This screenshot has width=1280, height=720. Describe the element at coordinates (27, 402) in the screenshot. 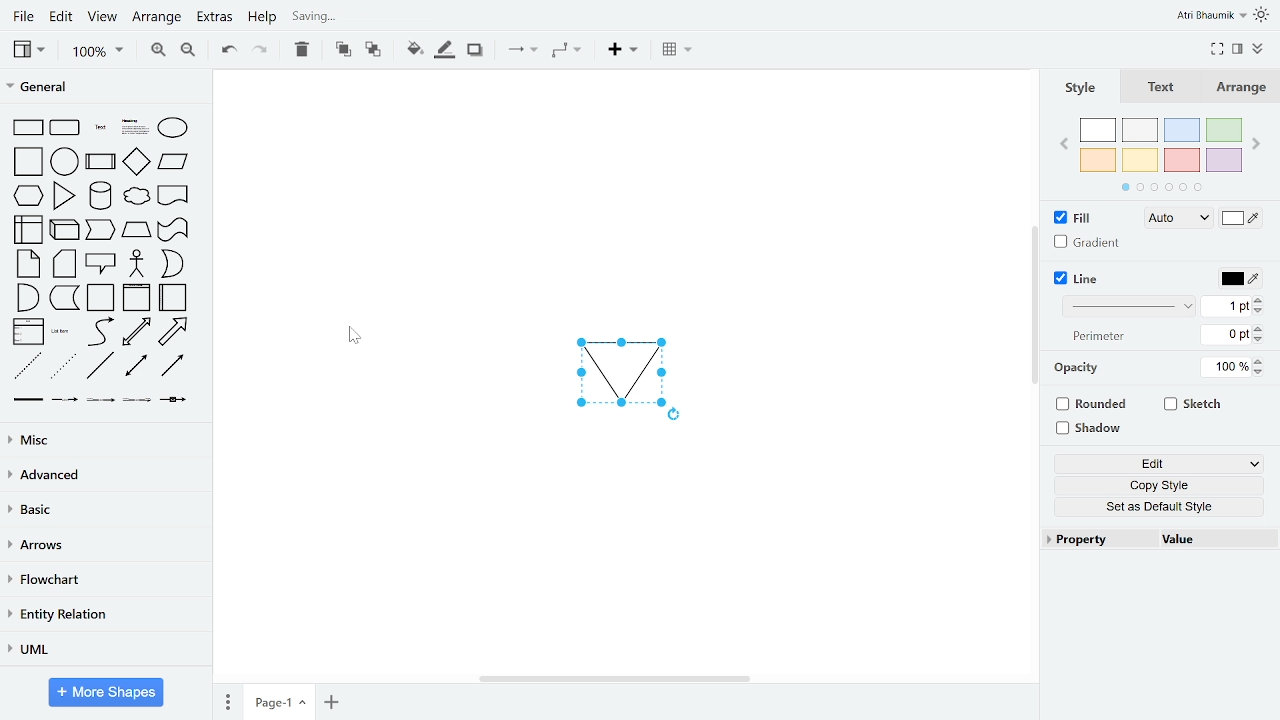

I see `link` at that location.